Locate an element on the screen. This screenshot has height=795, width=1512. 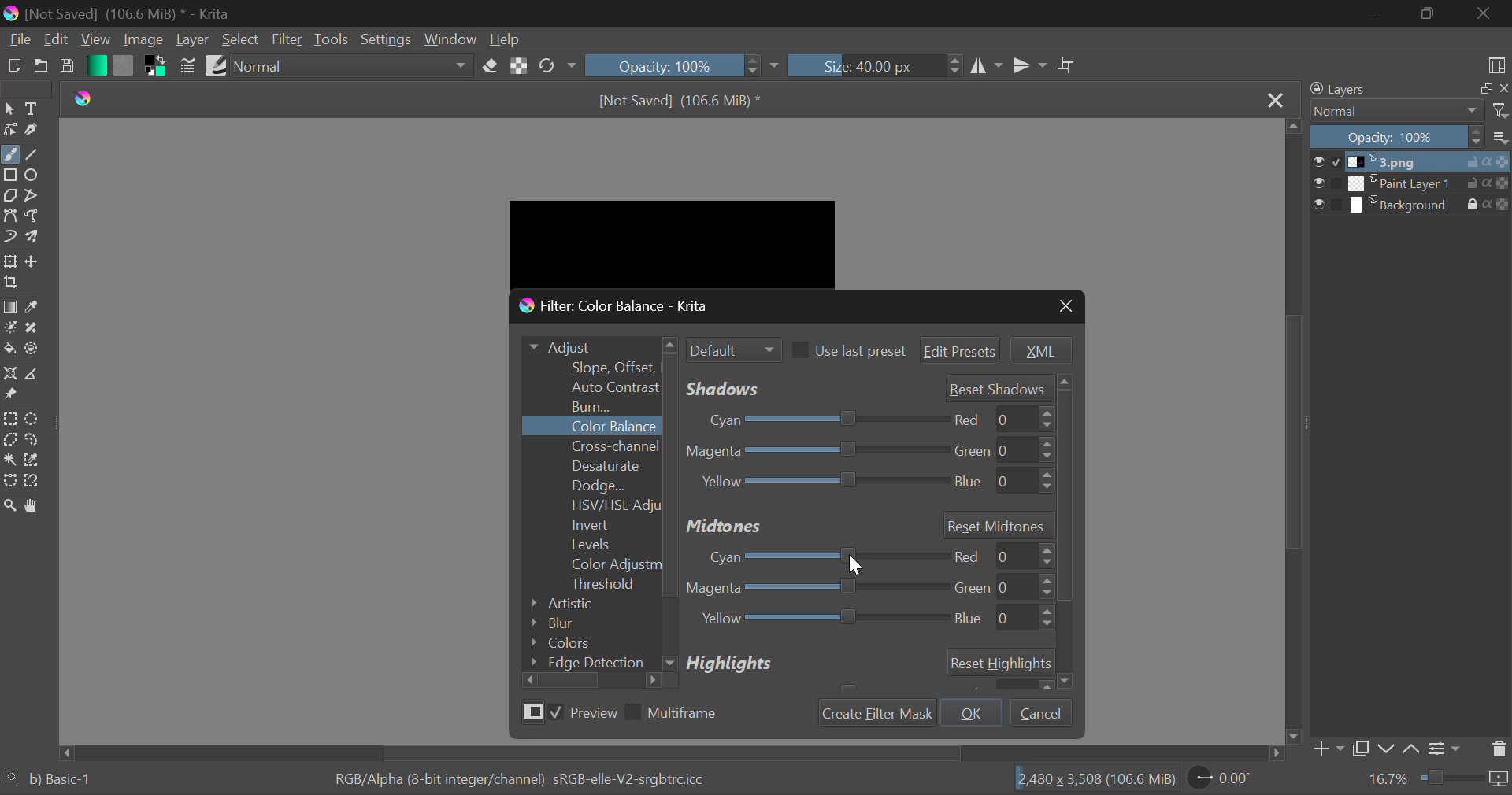
Edit Presets is located at coordinates (962, 352).